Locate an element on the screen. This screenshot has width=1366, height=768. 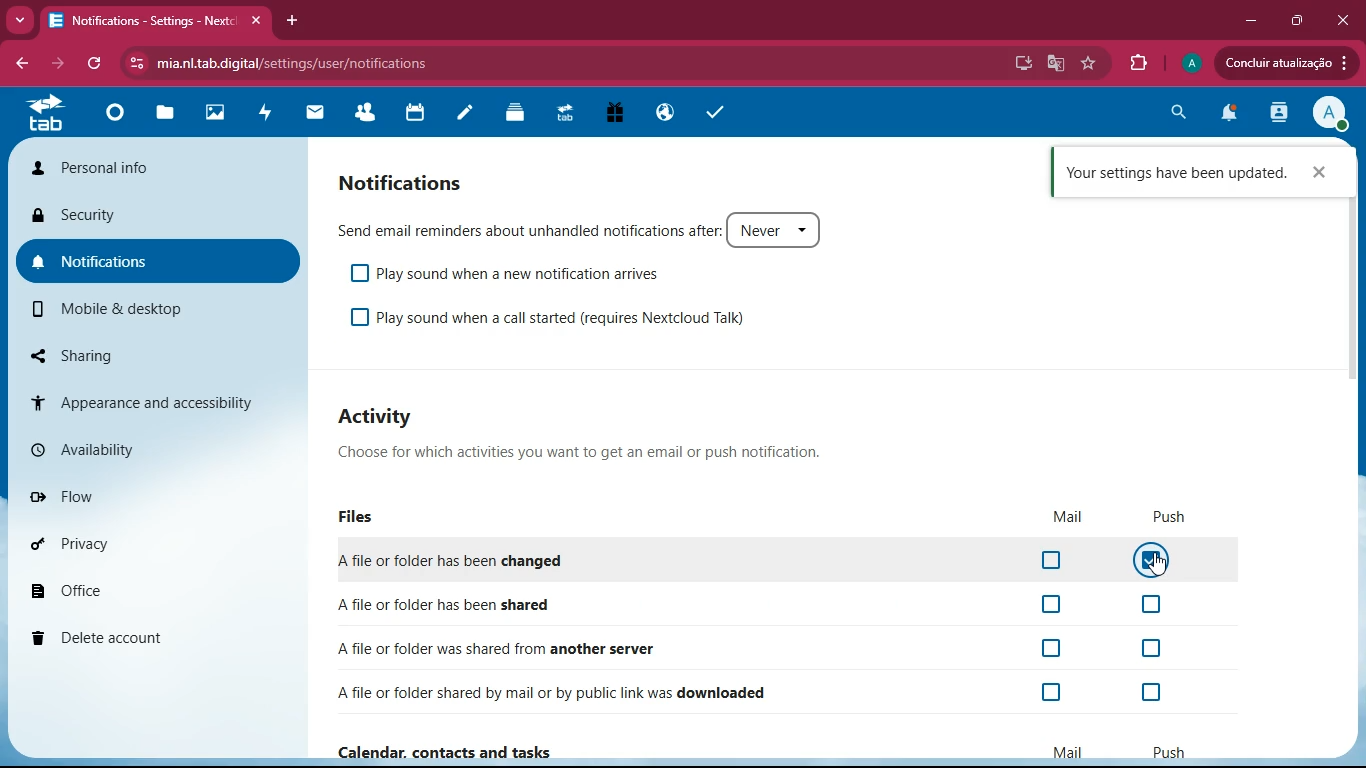
more is located at coordinates (20, 20).